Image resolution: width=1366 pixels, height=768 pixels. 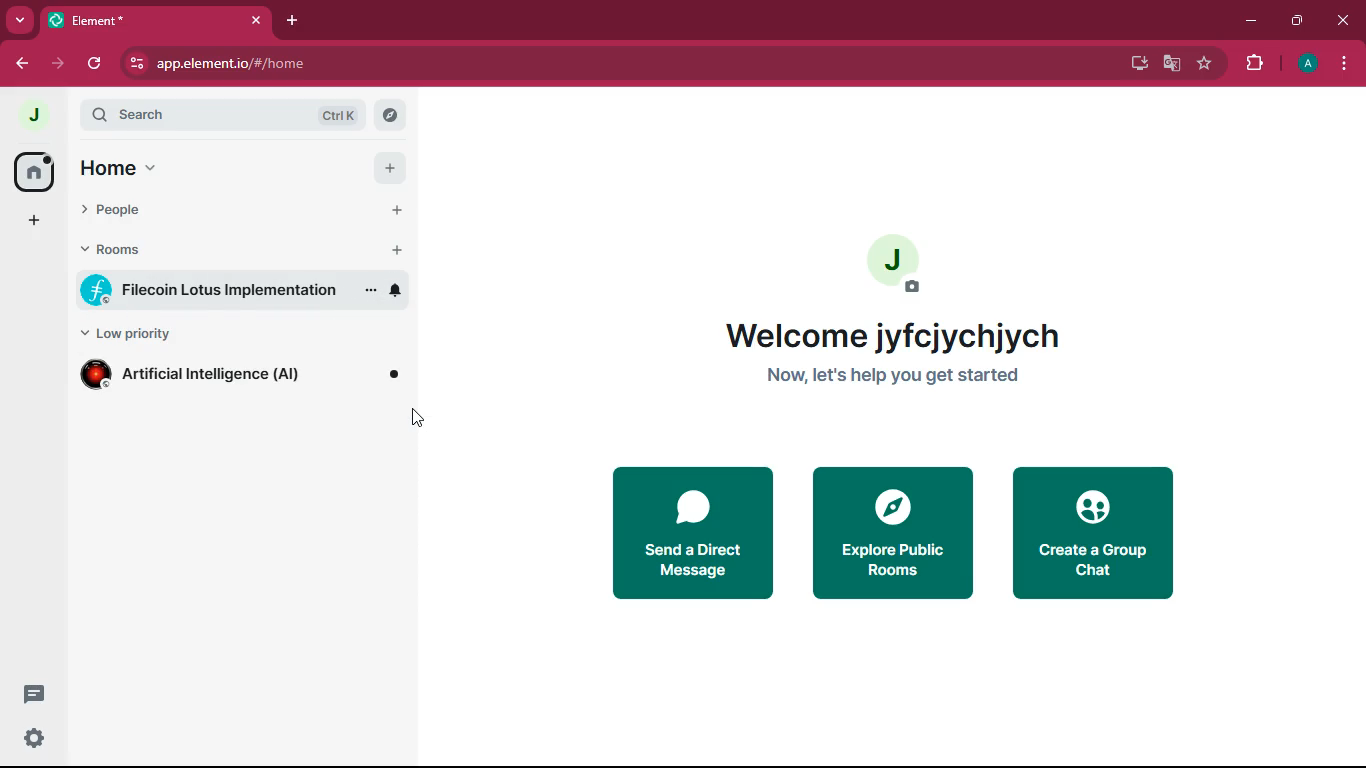 I want to click on room, so click(x=242, y=376).